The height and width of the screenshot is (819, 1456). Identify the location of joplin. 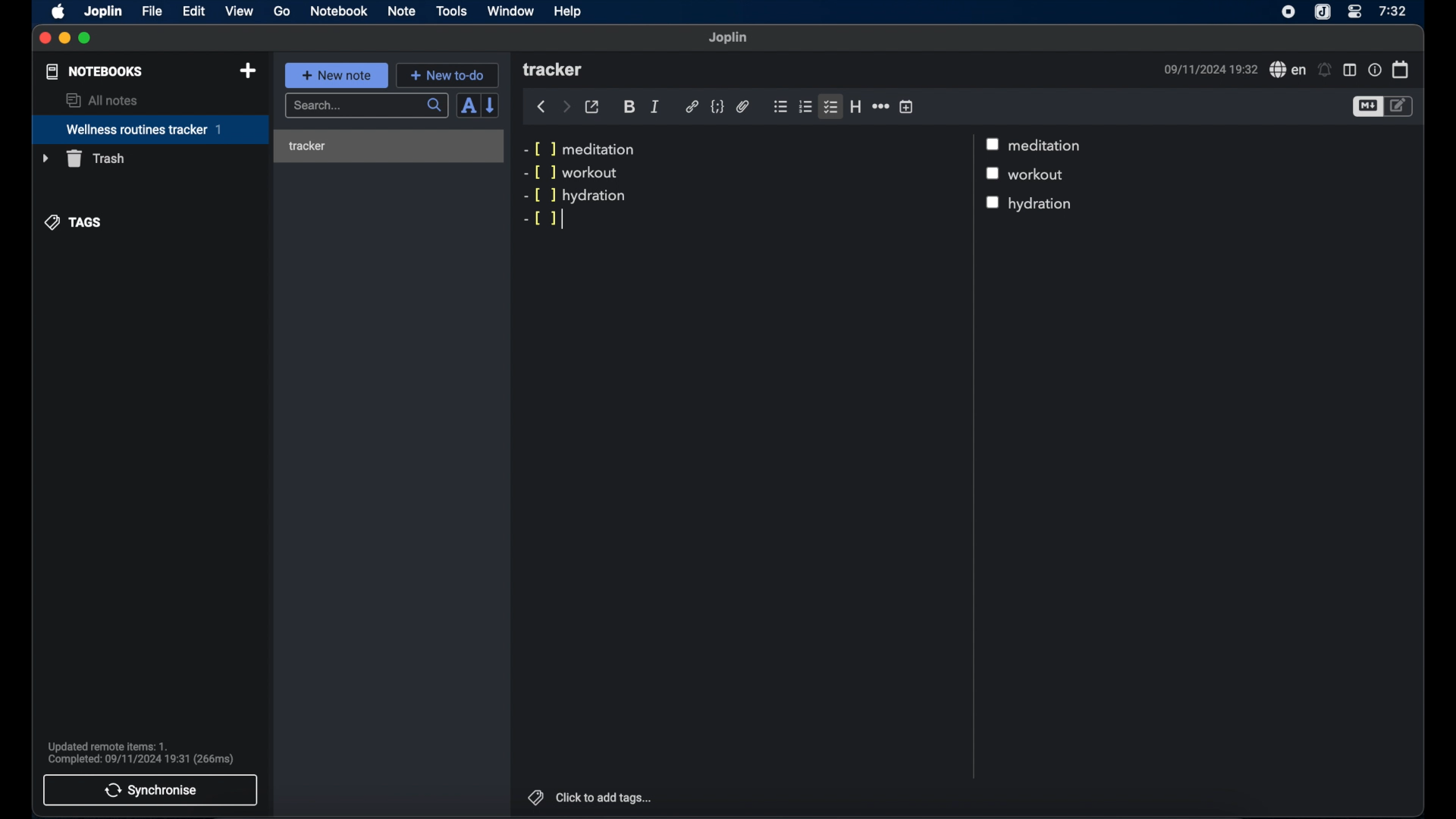
(729, 38).